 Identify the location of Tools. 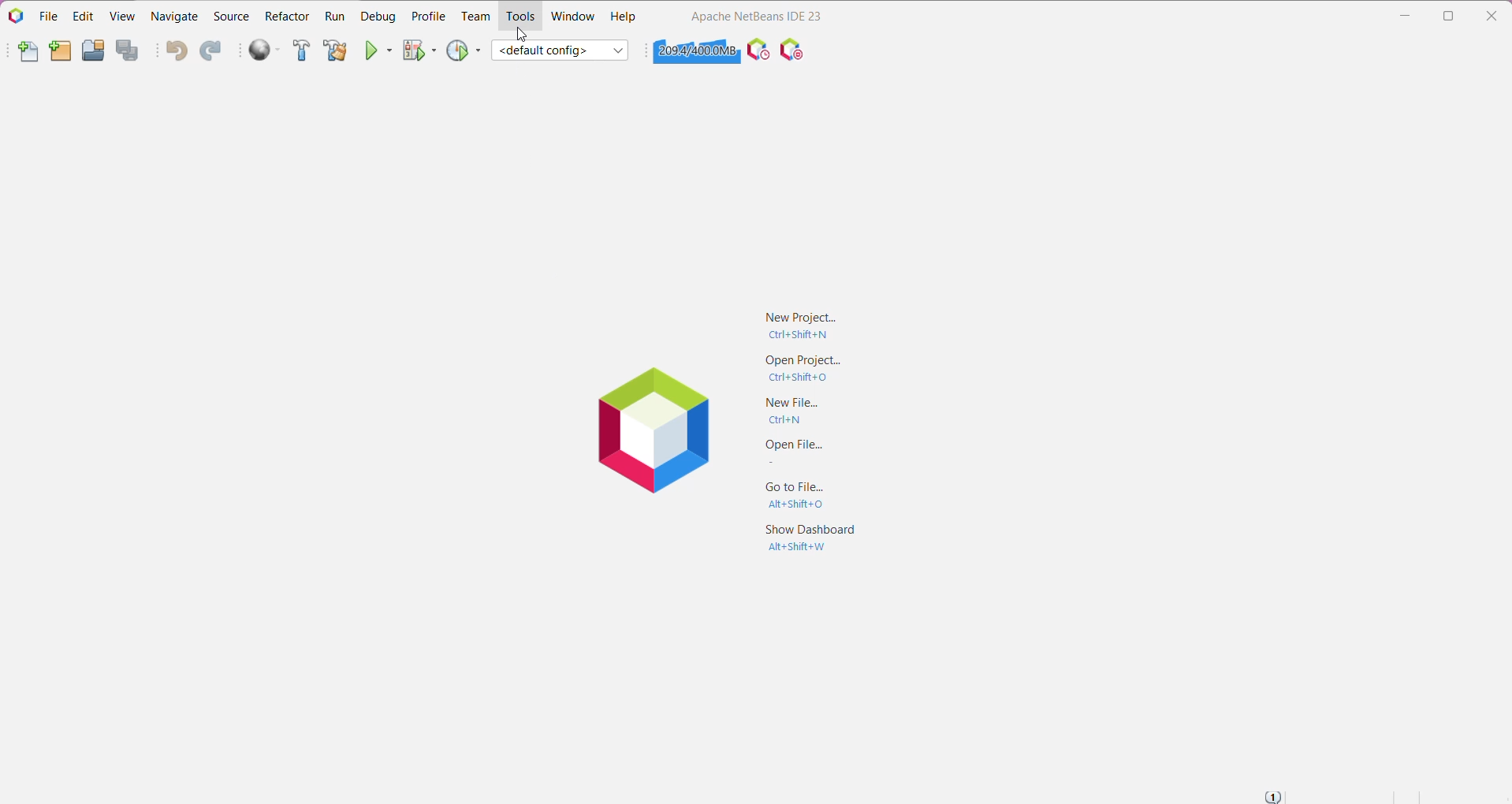
(523, 17).